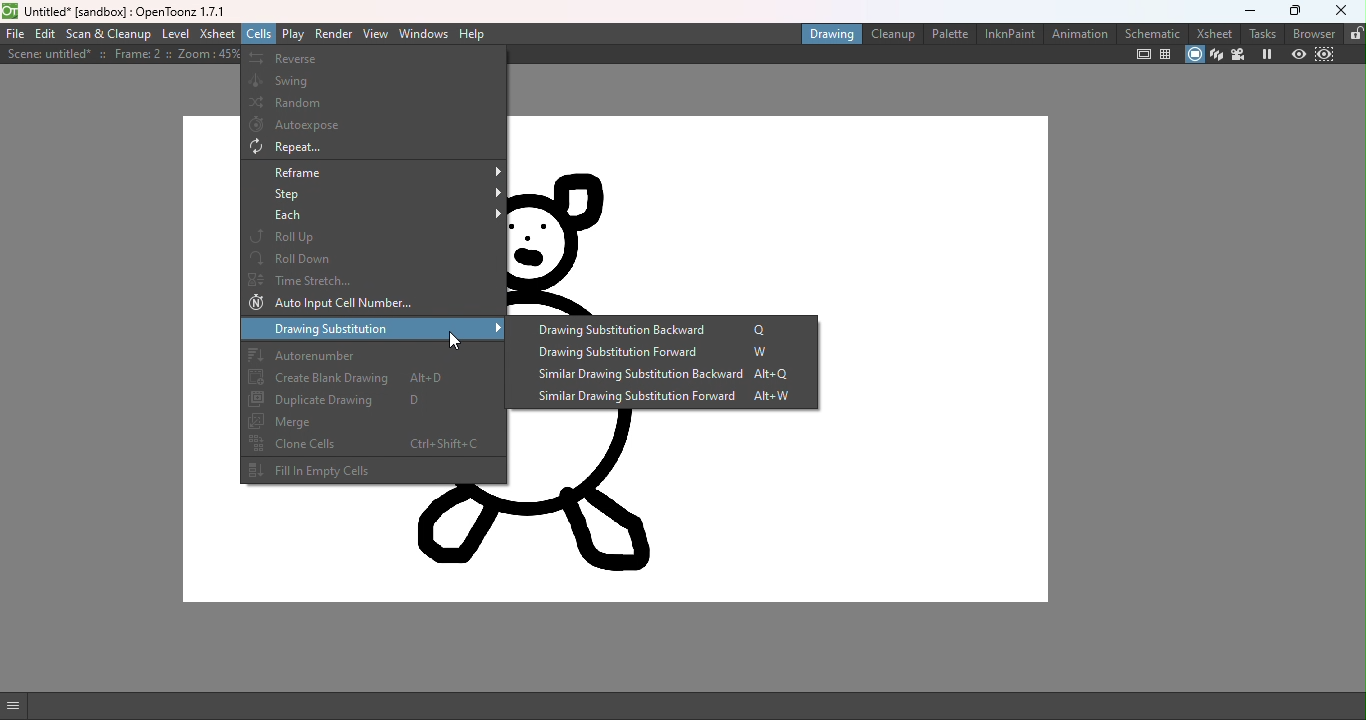 Image resolution: width=1366 pixels, height=720 pixels. I want to click on Edit, so click(45, 35).